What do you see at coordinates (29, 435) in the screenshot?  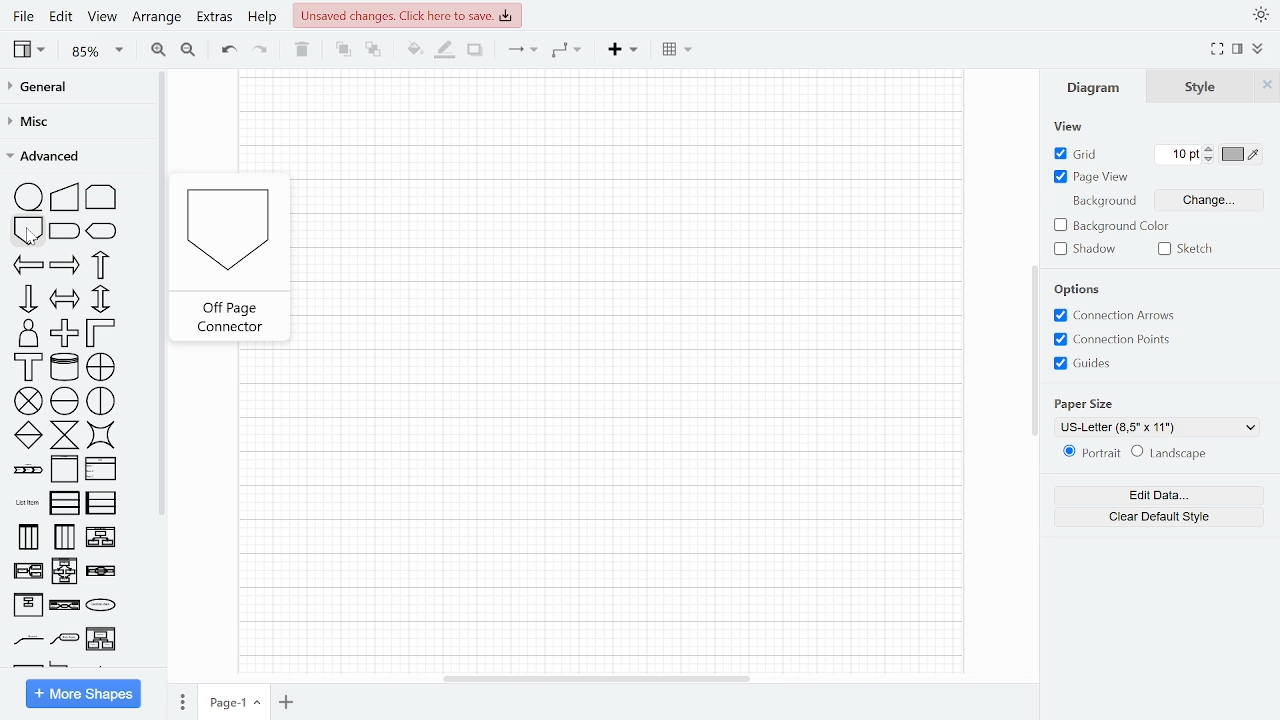 I see `sort ` at bounding box center [29, 435].